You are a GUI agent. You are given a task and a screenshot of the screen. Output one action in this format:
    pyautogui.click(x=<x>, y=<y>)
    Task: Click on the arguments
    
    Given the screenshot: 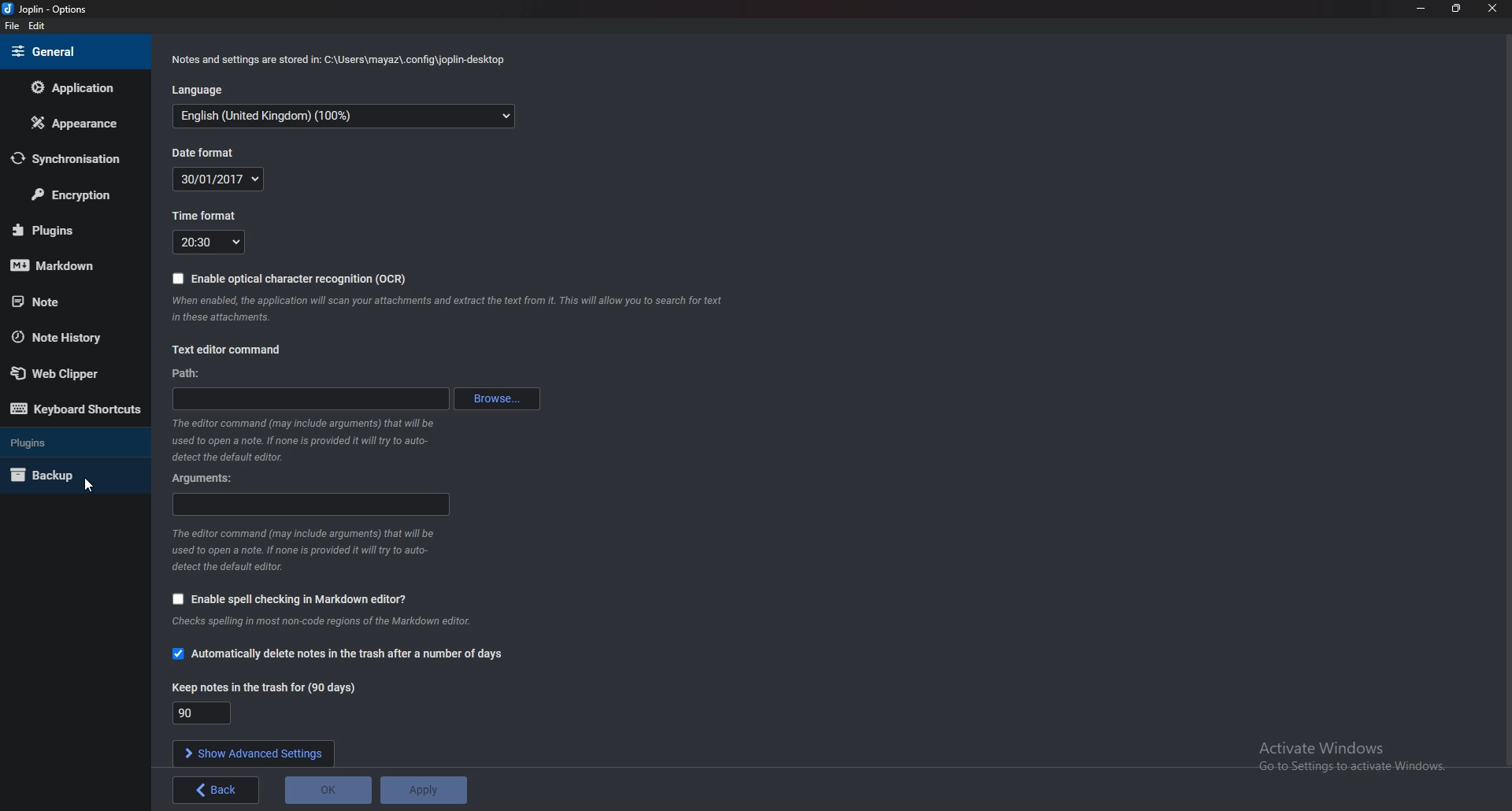 What is the action you would take?
    pyautogui.click(x=312, y=505)
    